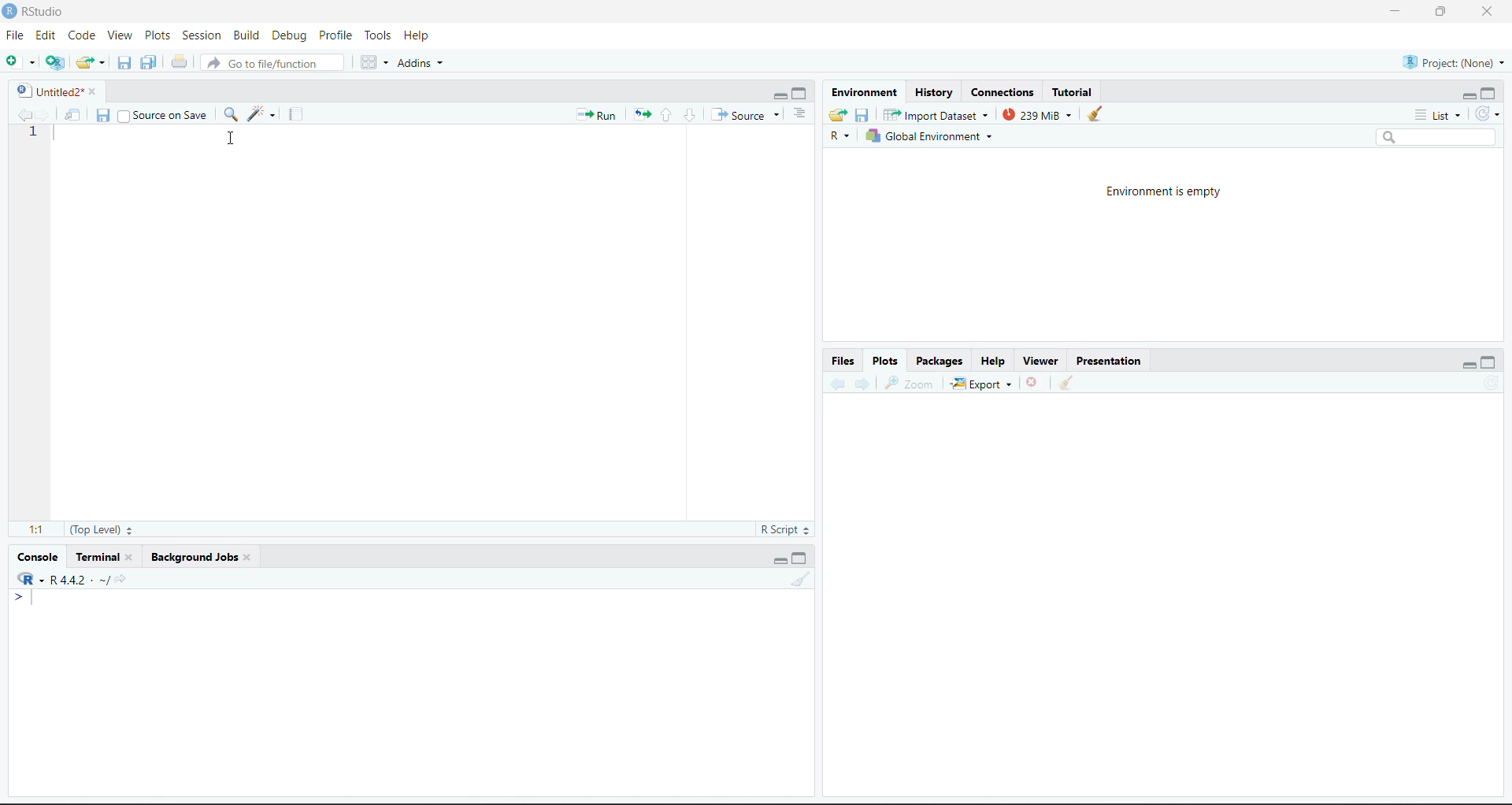  I want to click on Go back to the previous source location (Ctrl + F9), so click(23, 112).